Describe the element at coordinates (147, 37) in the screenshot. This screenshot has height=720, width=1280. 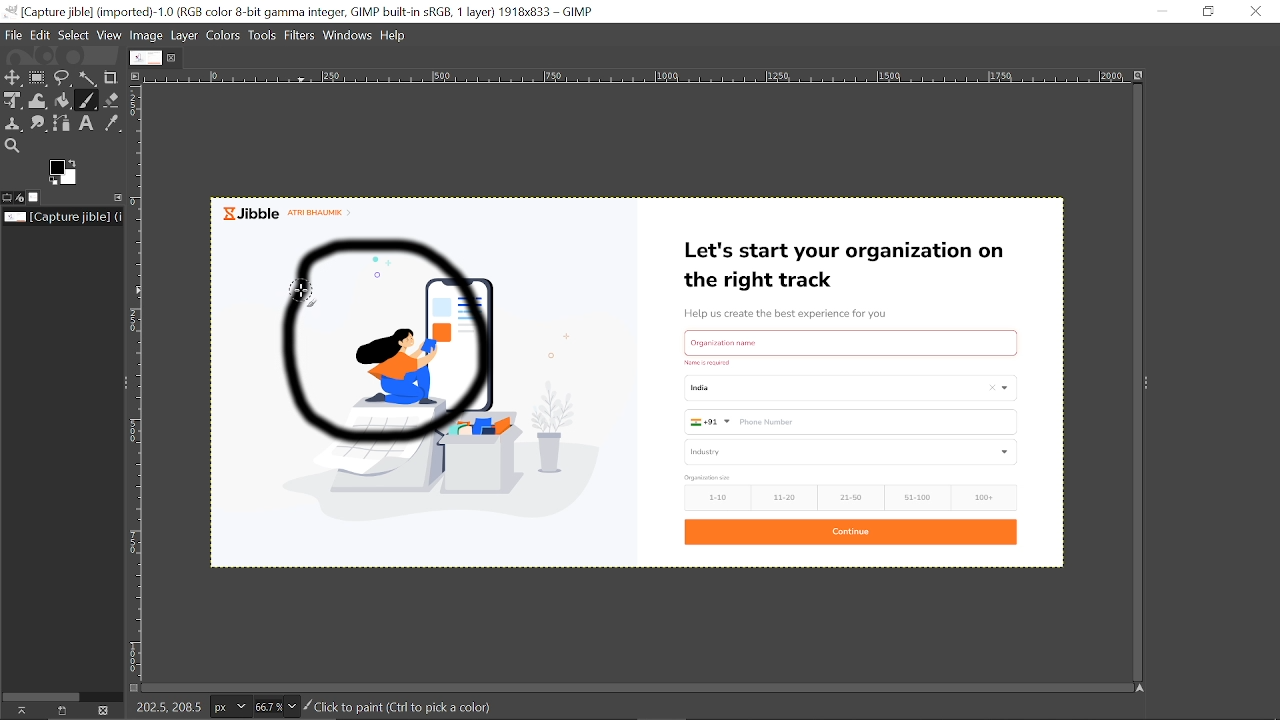
I see `Image` at that location.